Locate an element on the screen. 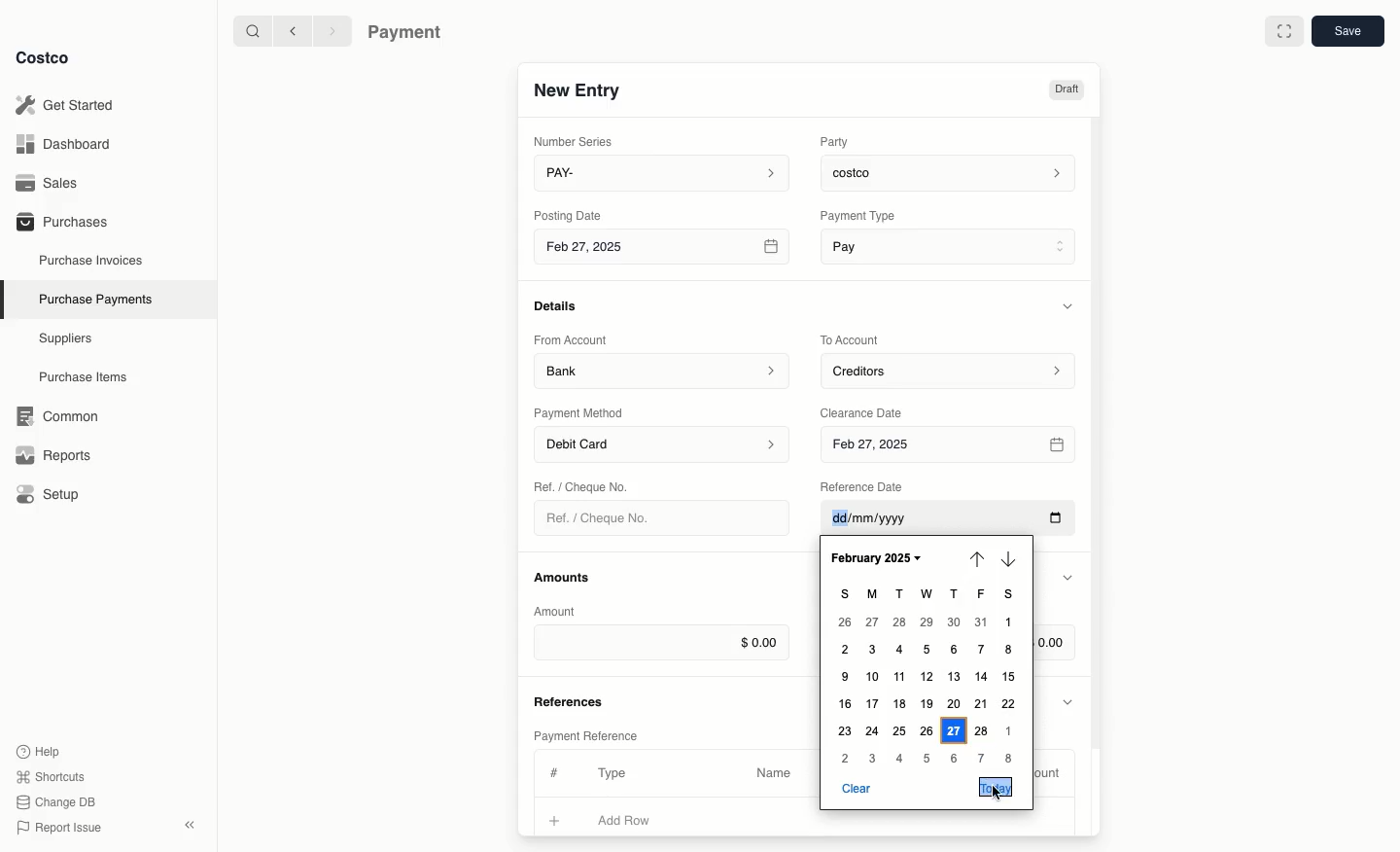 The width and height of the screenshot is (1400, 852). Number Series is located at coordinates (577, 141).